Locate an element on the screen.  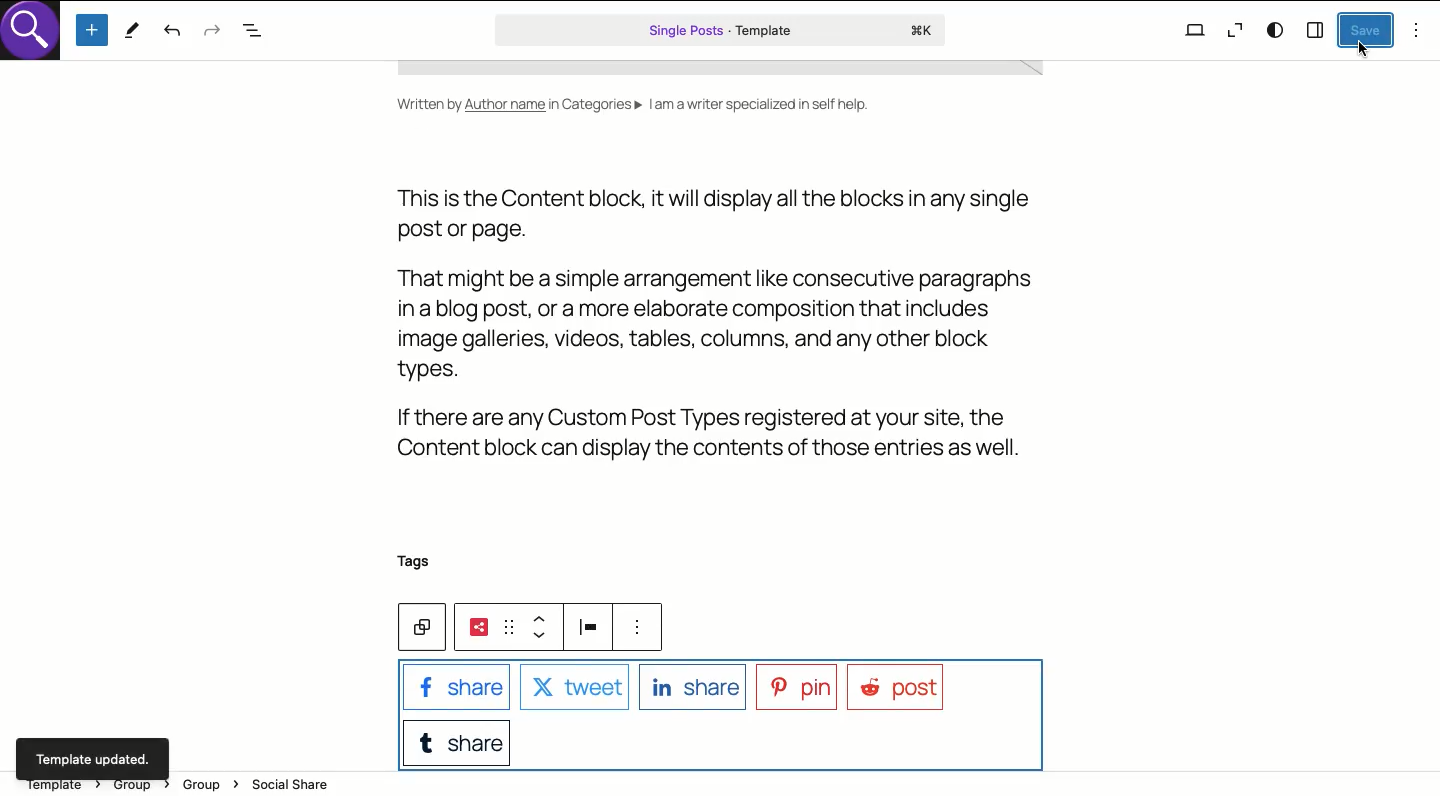
Add new block is located at coordinates (94, 30).